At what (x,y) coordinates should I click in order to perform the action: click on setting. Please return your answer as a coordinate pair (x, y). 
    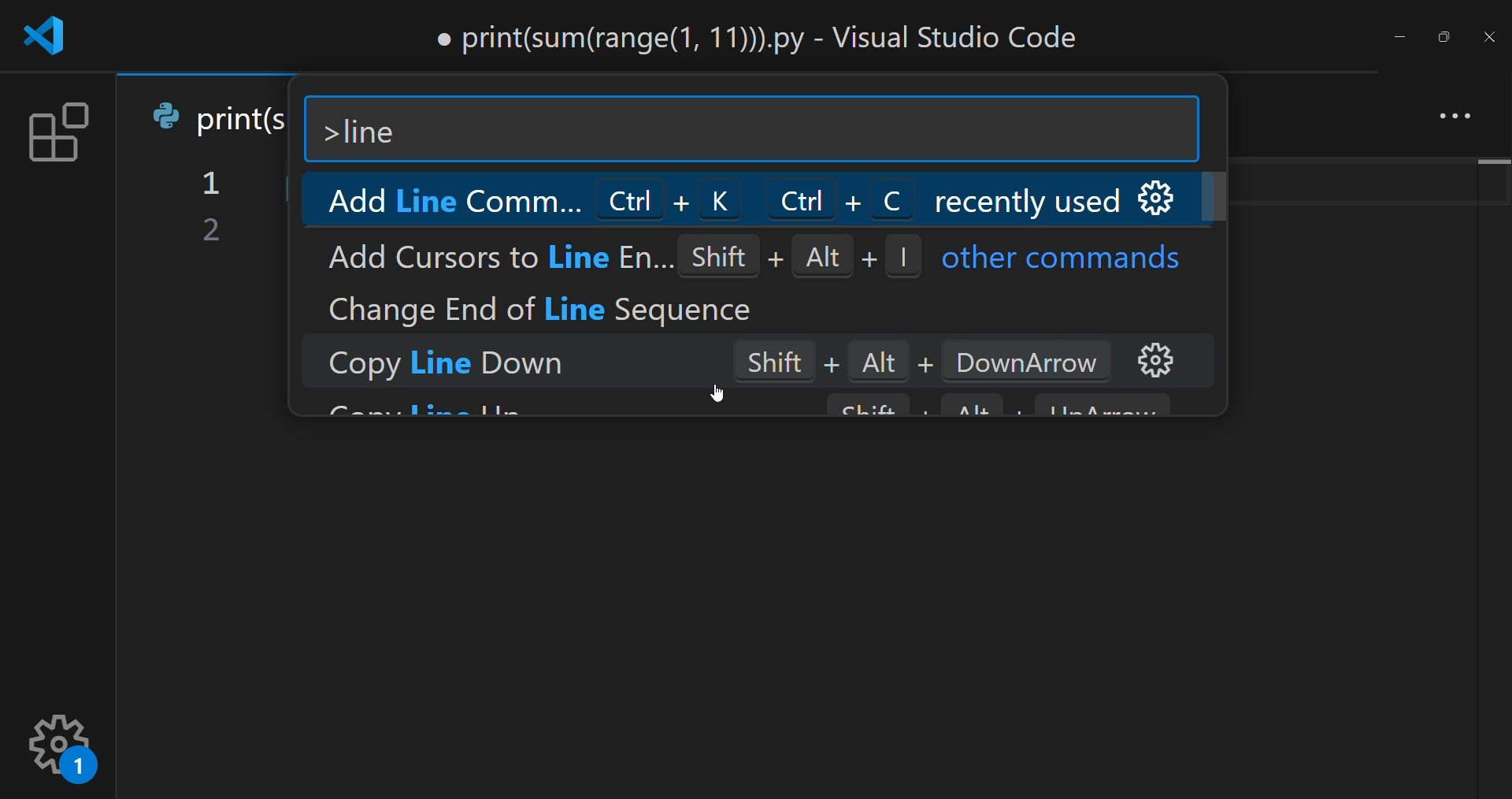
    Looking at the image, I should click on (64, 745).